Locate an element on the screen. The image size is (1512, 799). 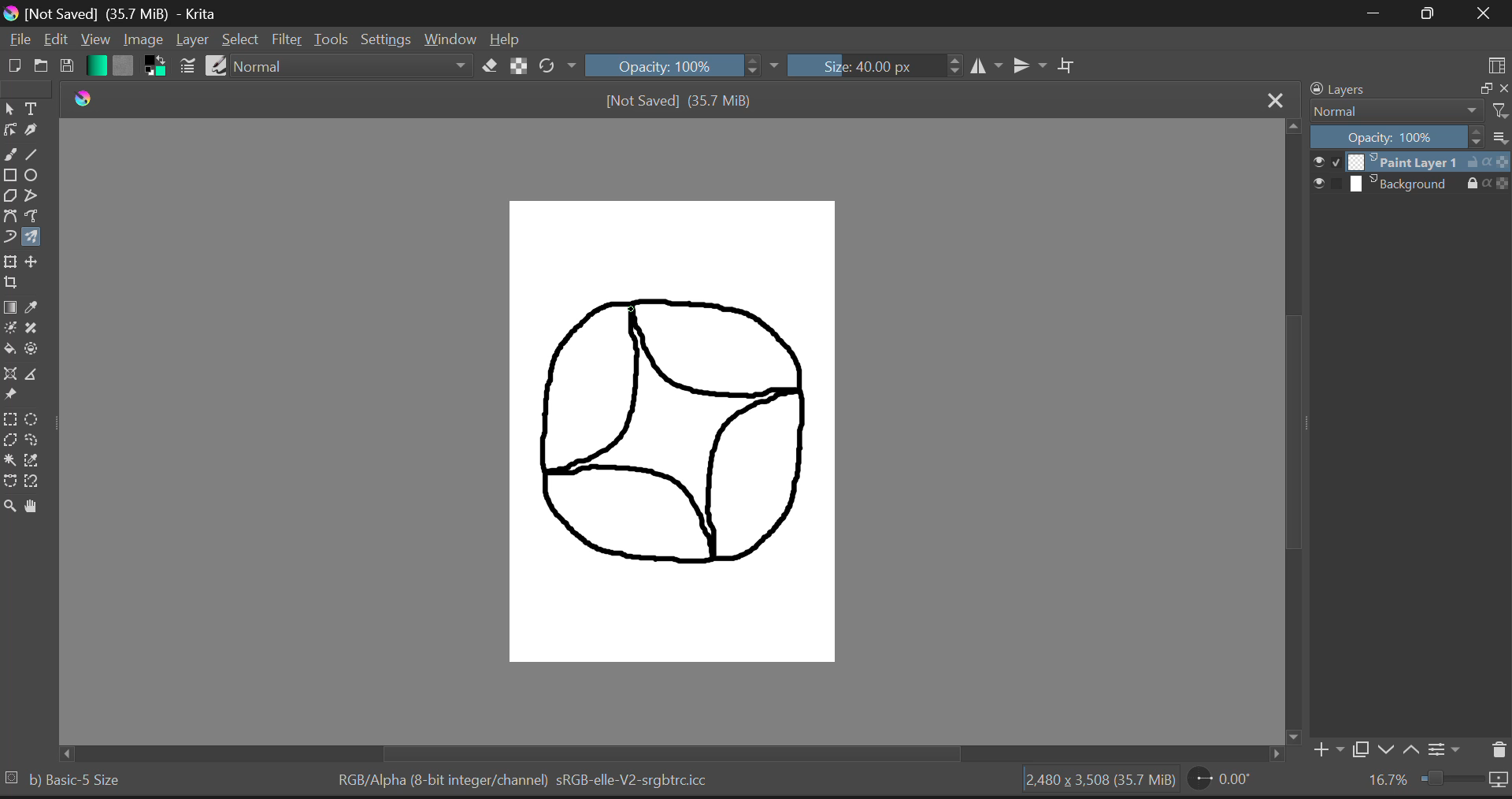
Close is located at coordinates (1276, 100).